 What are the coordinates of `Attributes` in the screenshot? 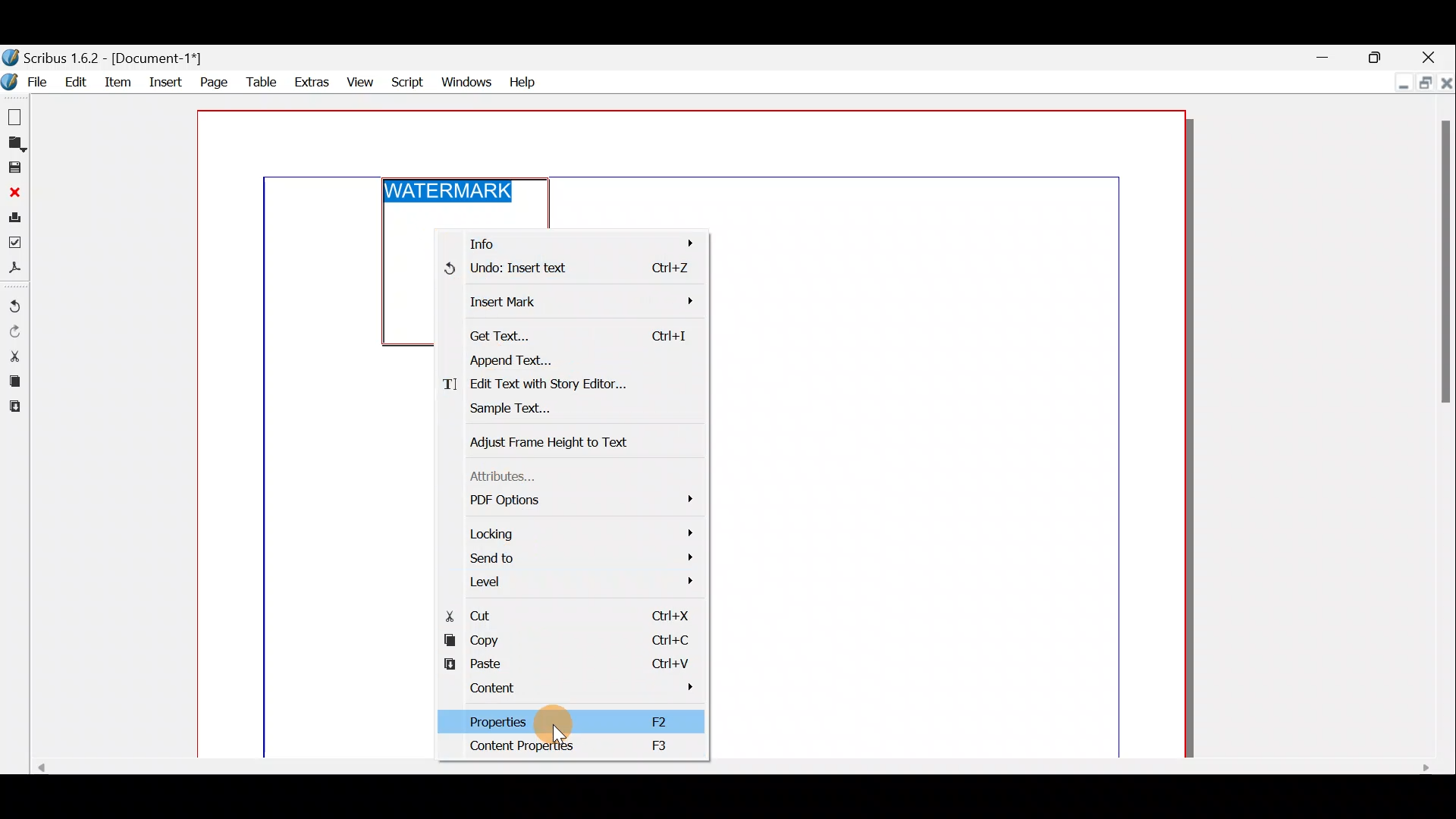 It's located at (510, 477).